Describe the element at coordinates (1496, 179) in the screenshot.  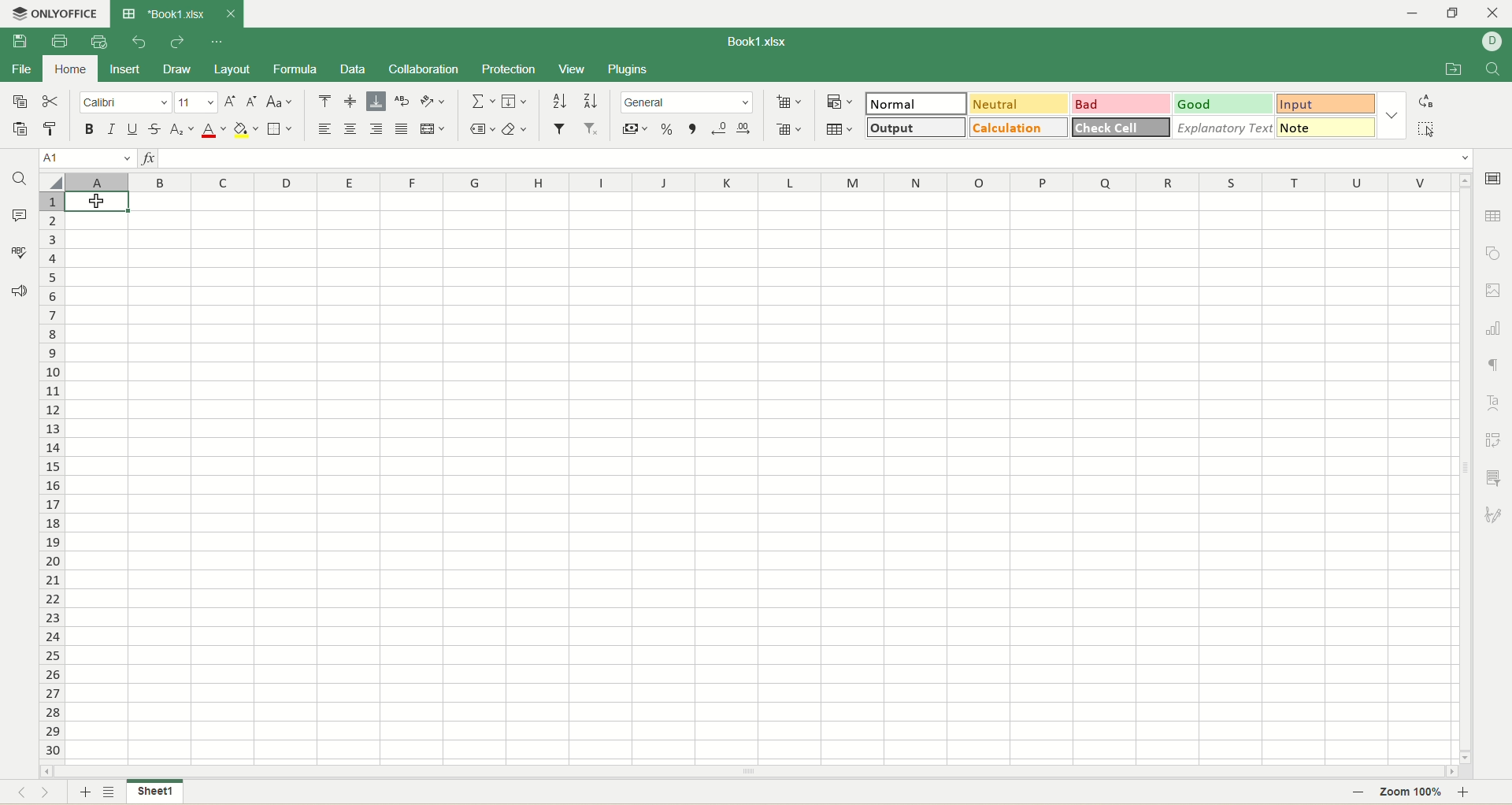
I see `cell settings` at that location.